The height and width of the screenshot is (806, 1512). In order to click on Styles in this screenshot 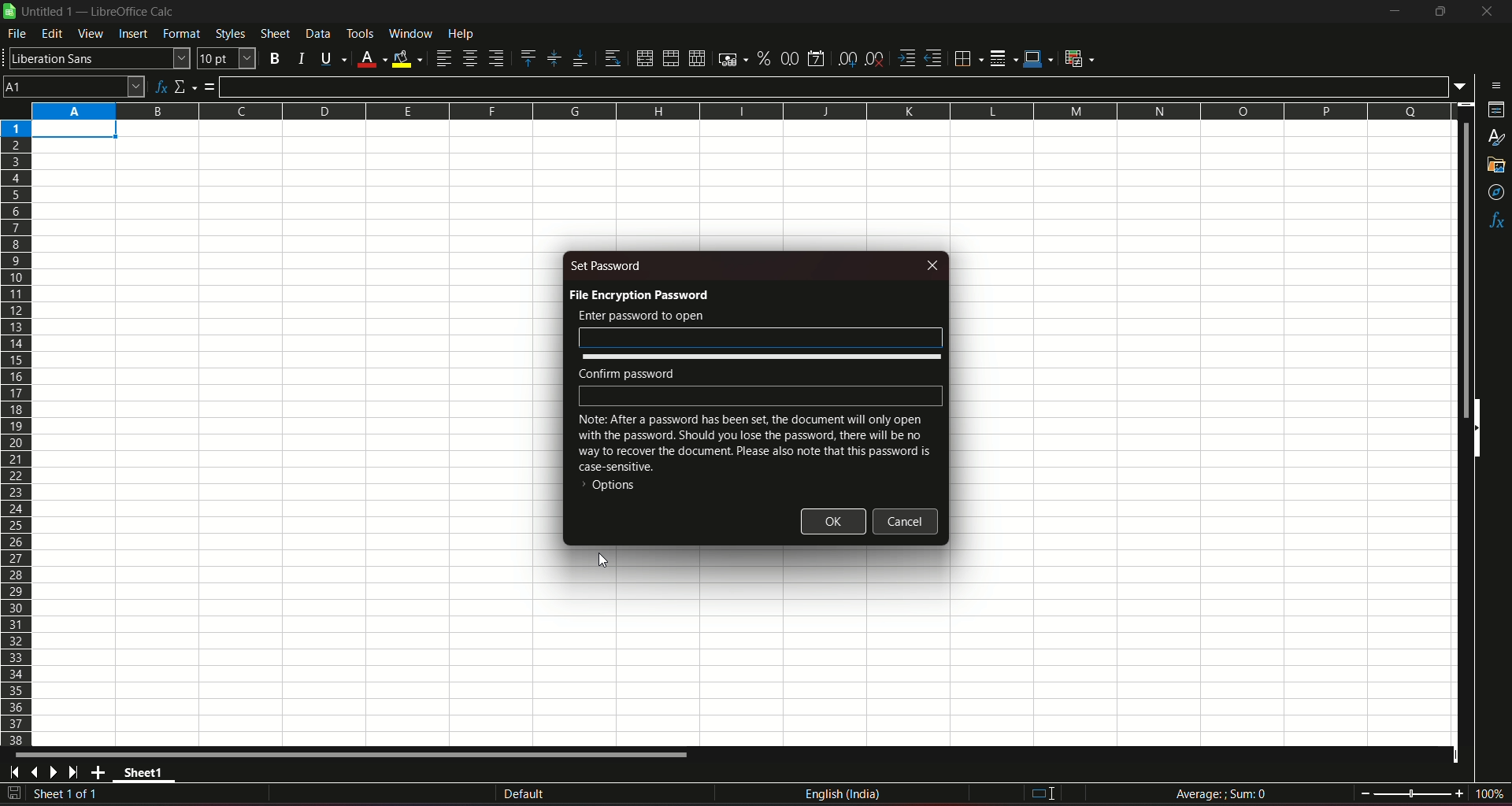, I will do `click(228, 34)`.